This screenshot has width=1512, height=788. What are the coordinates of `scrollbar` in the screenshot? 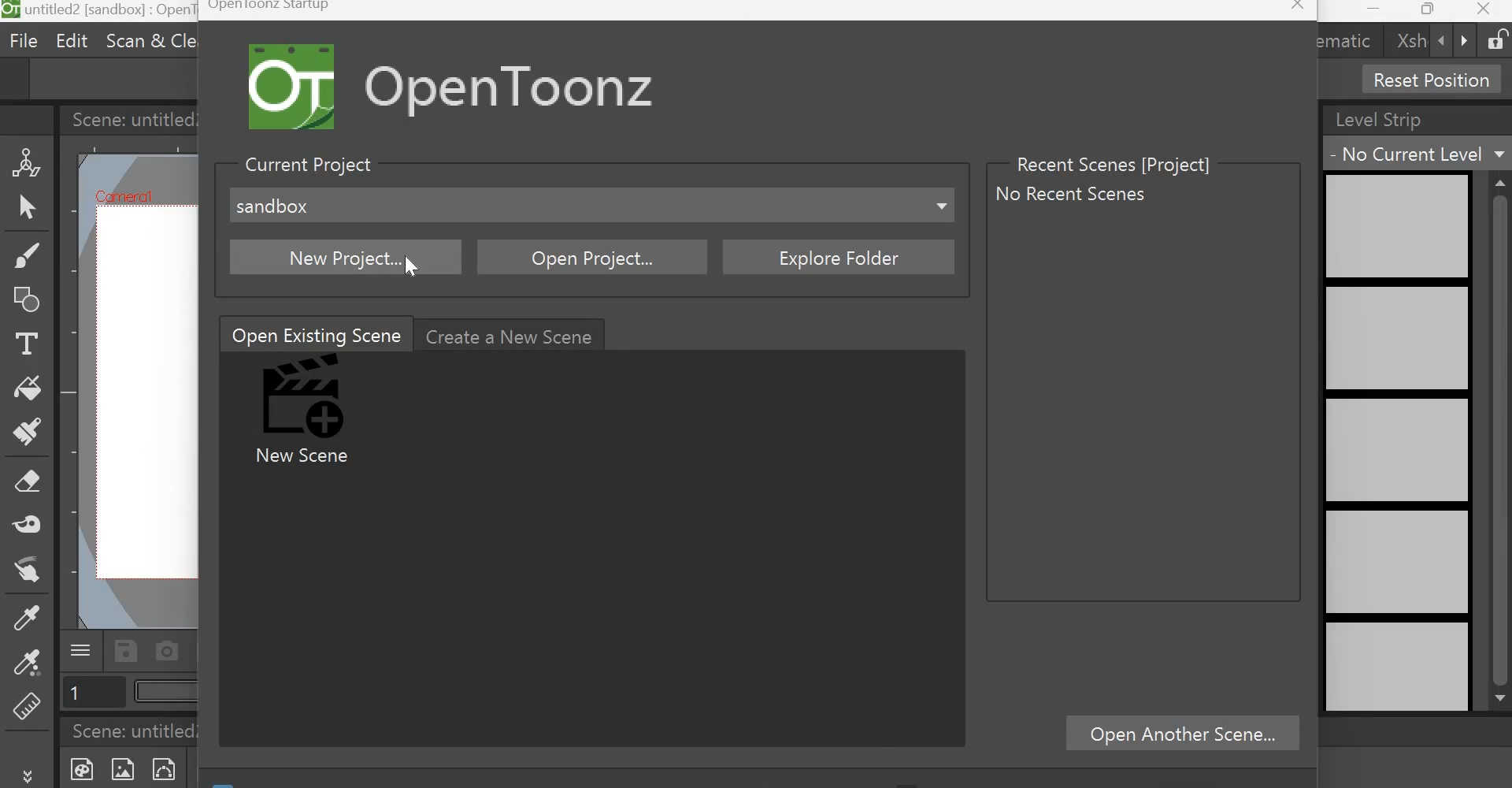 It's located at (1503, 397).